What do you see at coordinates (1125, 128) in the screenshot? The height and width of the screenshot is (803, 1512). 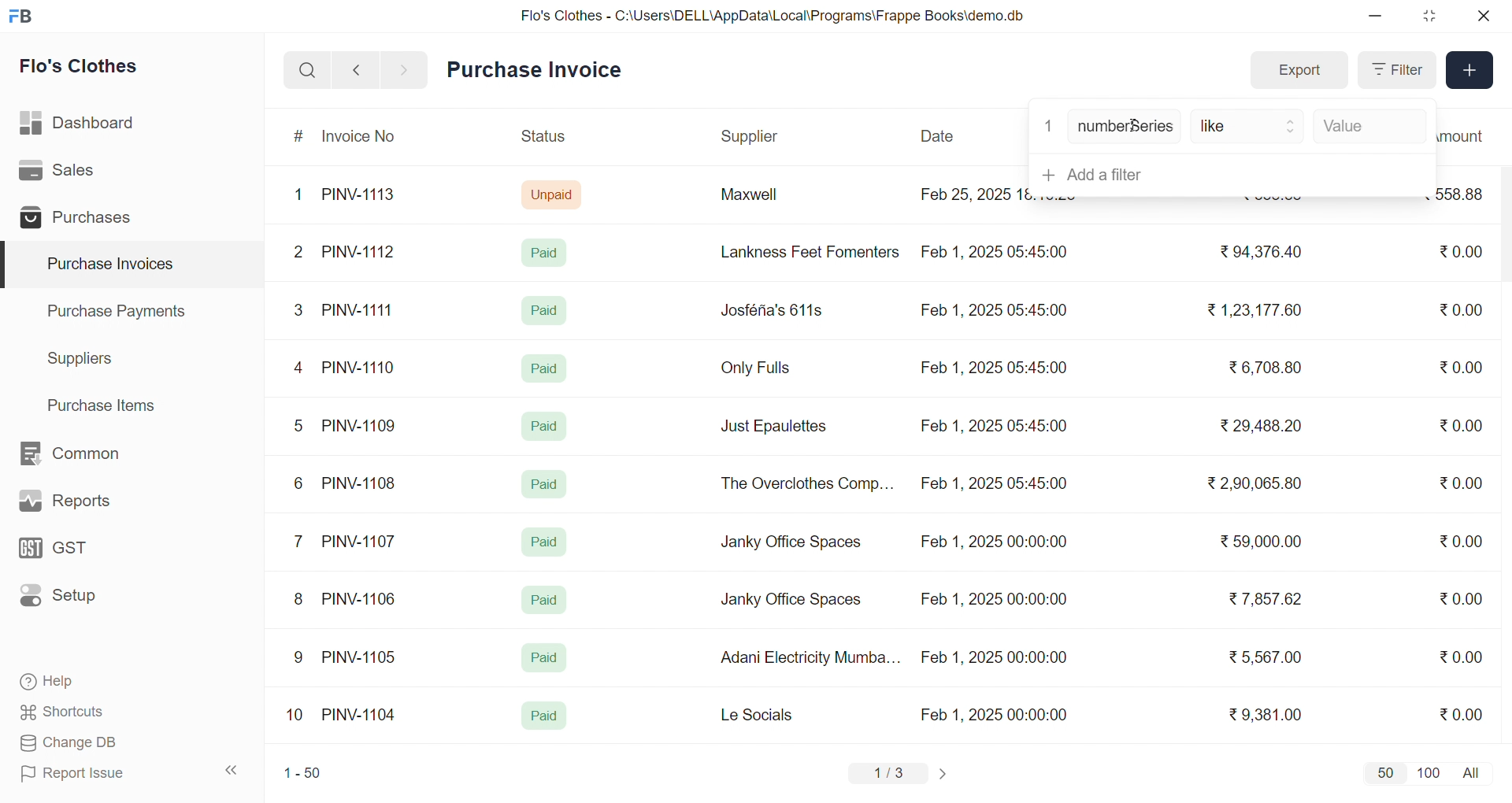 I see `numberSeries` at bounding box center [1125, 128].